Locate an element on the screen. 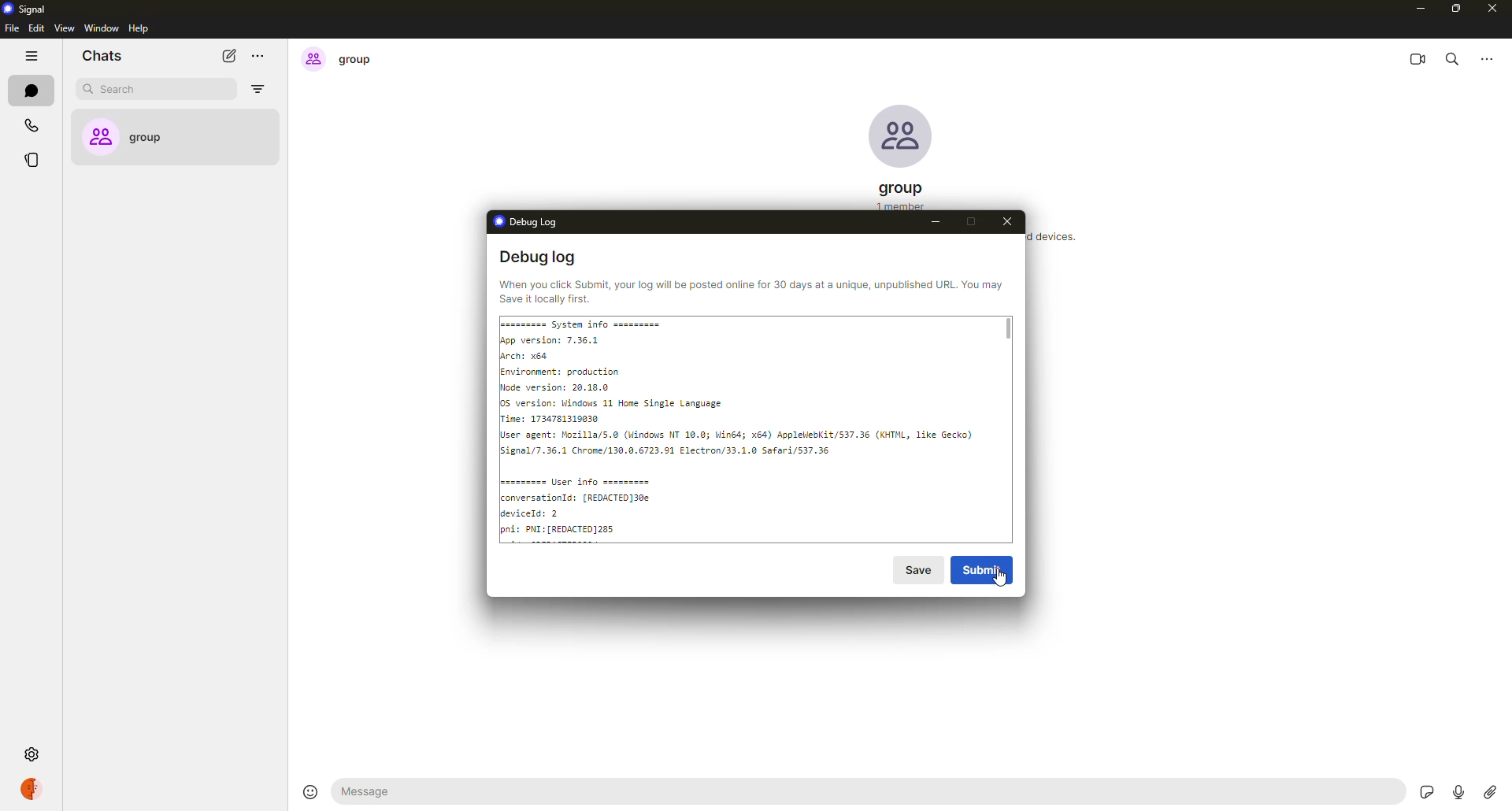  chats is located at coordinates (29, 90).